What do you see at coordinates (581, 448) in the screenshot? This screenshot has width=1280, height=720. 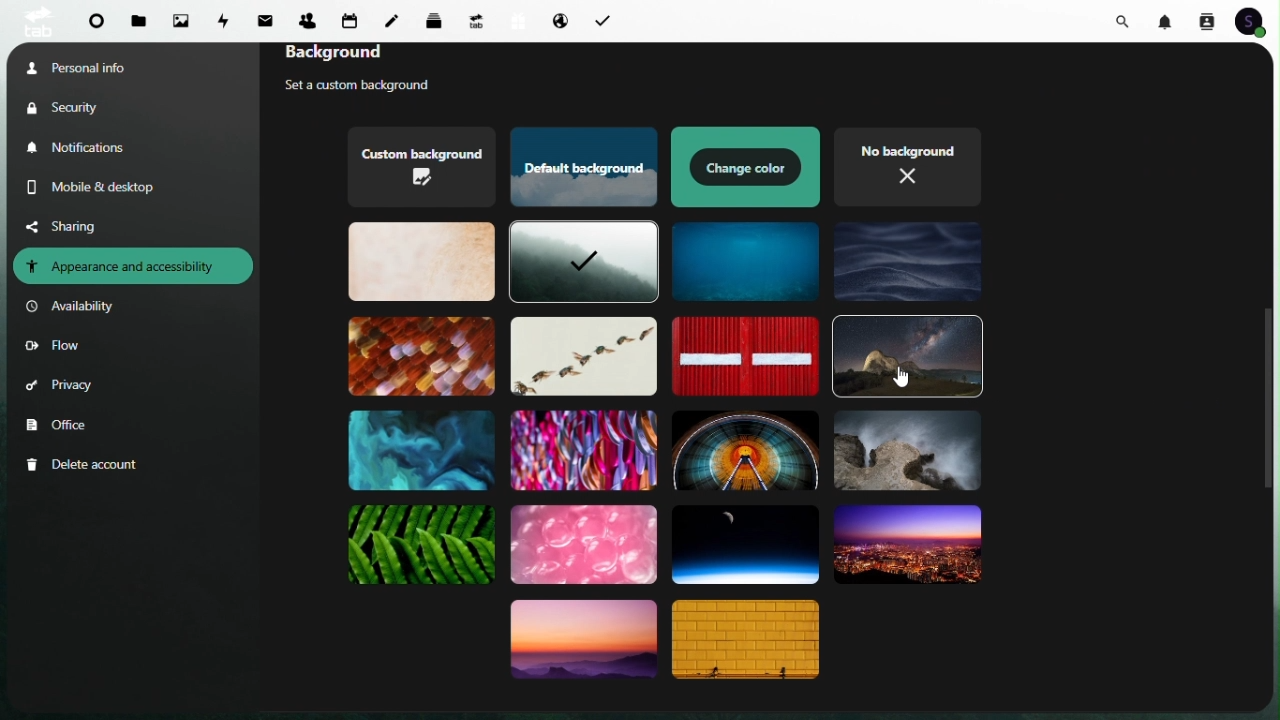 I see `Themes` at bounding box center [581, 448].